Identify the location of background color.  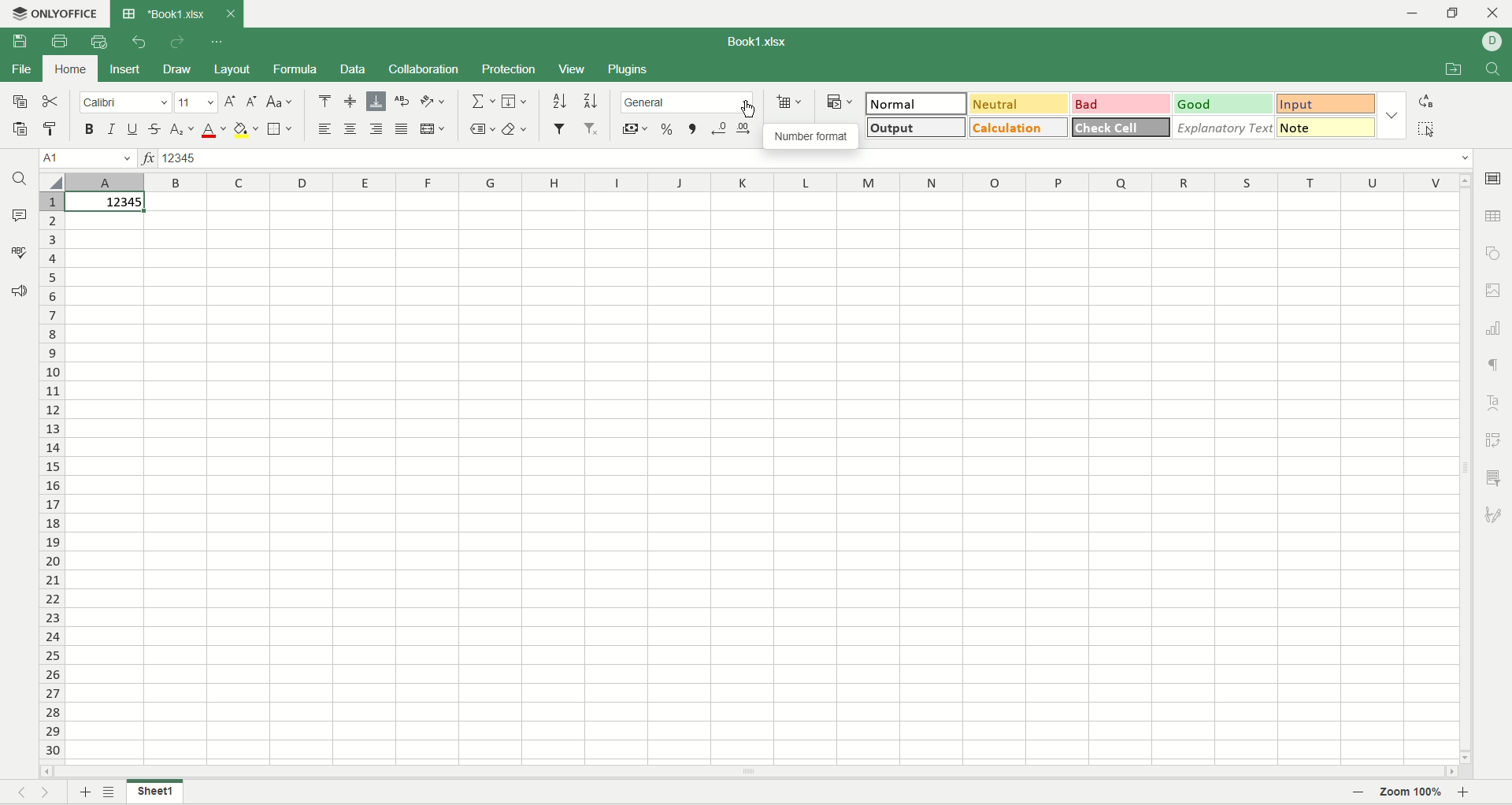
(246, 130).